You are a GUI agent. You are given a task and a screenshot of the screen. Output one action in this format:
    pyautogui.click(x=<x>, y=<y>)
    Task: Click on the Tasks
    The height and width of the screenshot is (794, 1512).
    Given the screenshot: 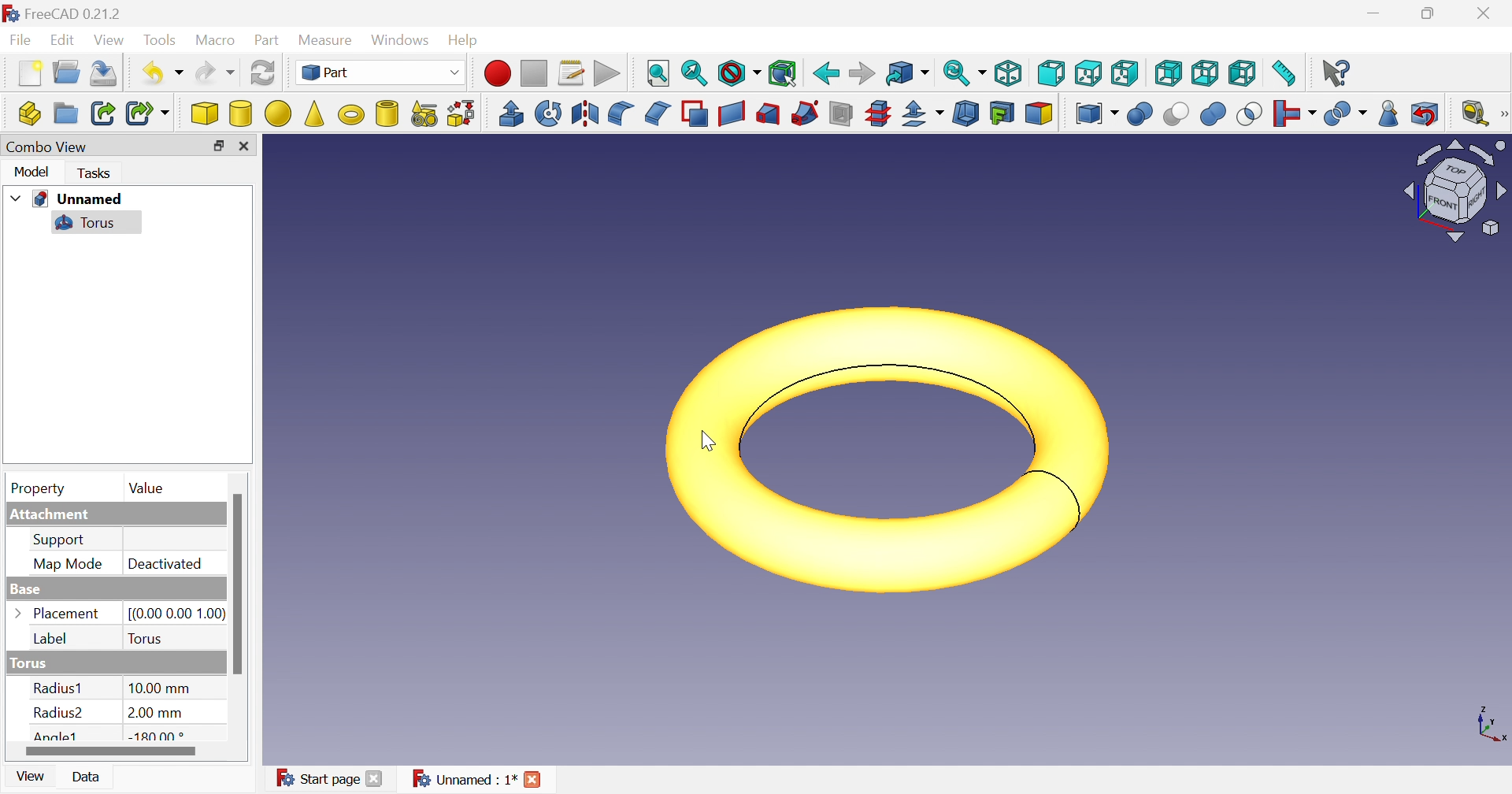 What is the action you would take?
    pyautogui.click(x=92, y=174)
    